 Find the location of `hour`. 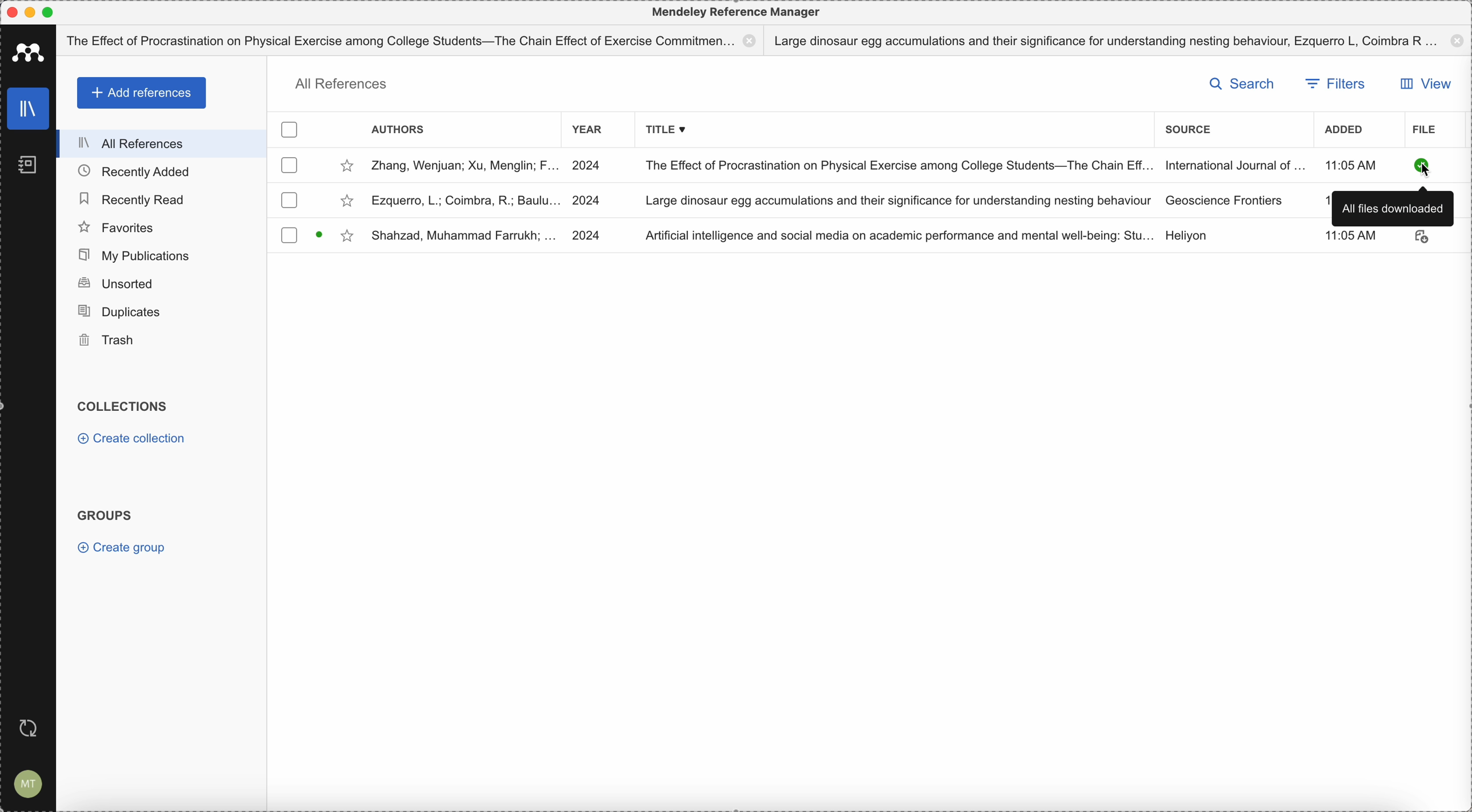

hour is located at coordinates (1351, 165).